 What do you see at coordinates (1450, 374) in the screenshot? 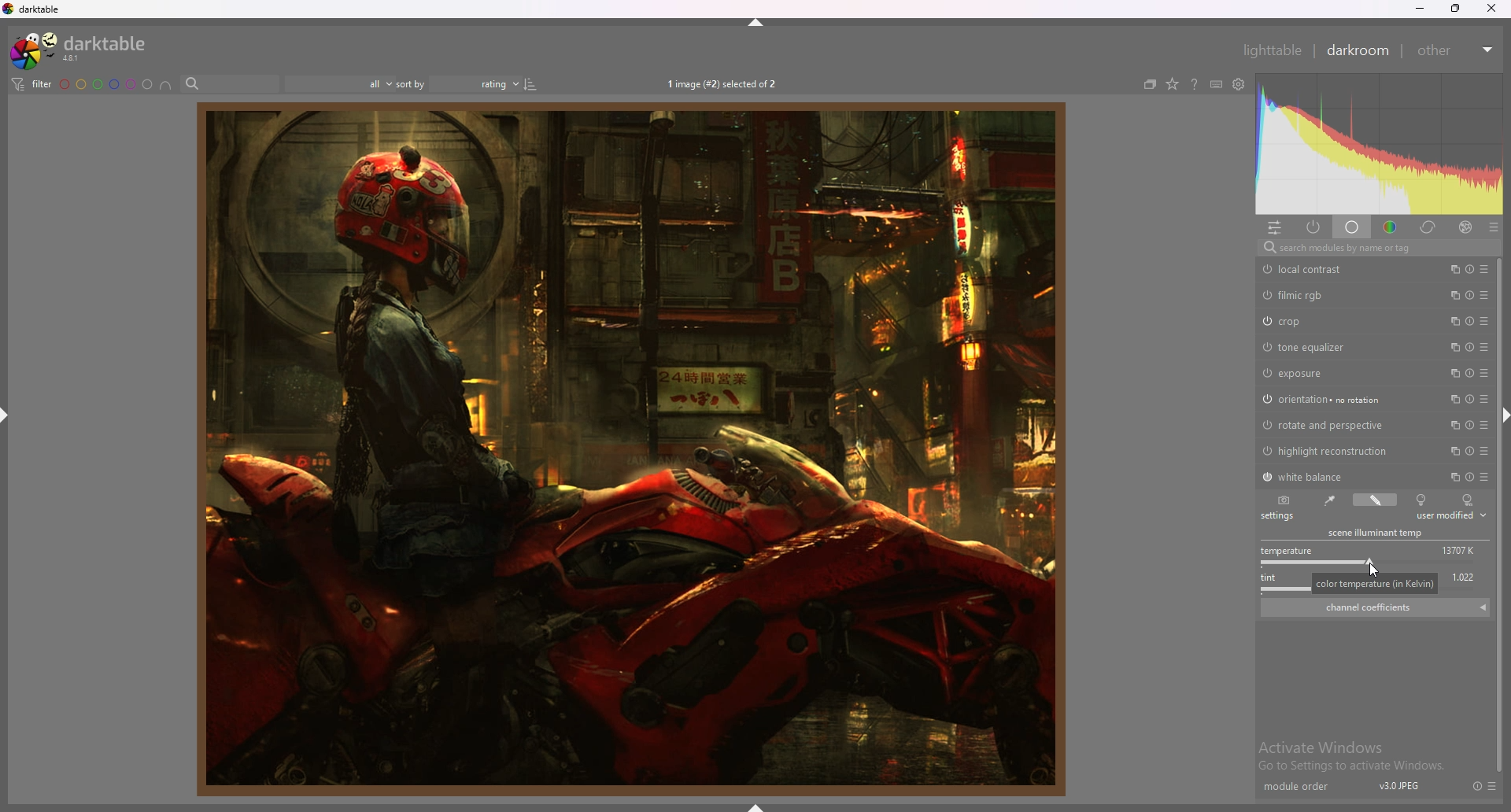
I see `multiple instances action` at bounding box center [1450, 374].